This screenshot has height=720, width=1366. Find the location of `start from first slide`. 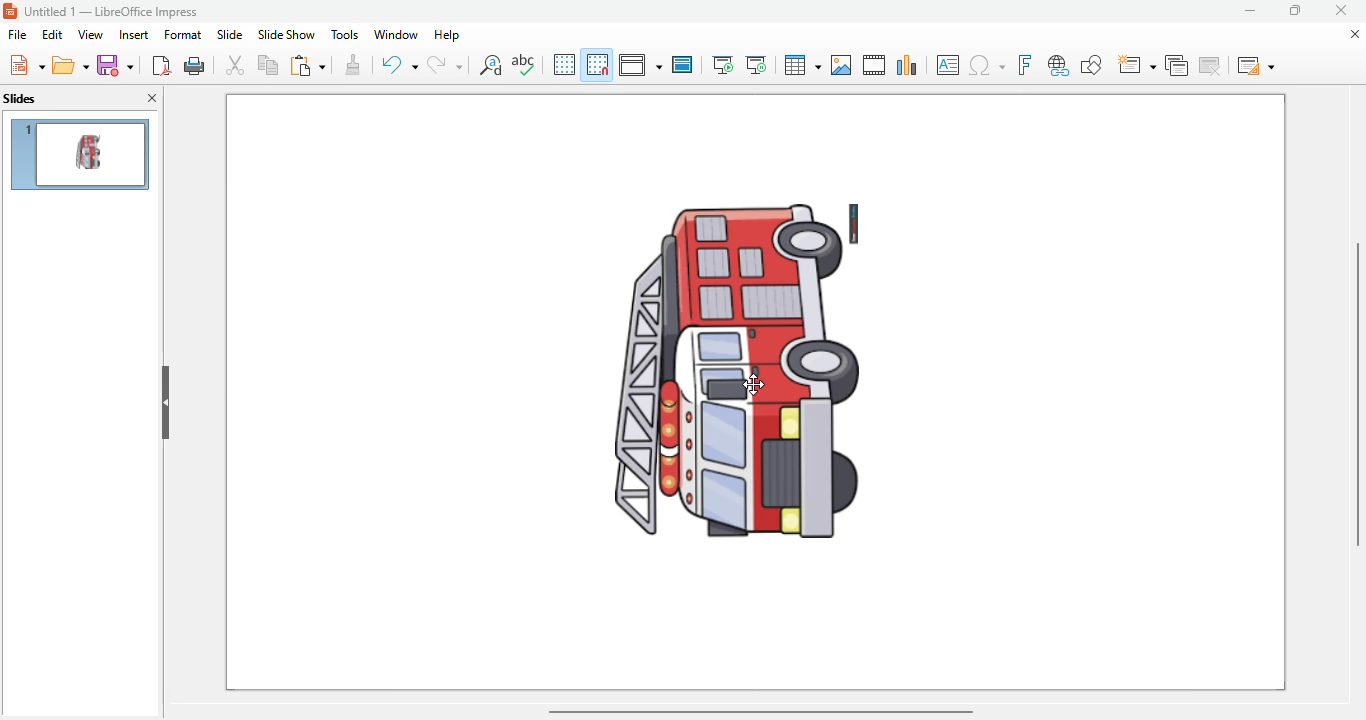

start from first slide is located at coordinates (724, 65).